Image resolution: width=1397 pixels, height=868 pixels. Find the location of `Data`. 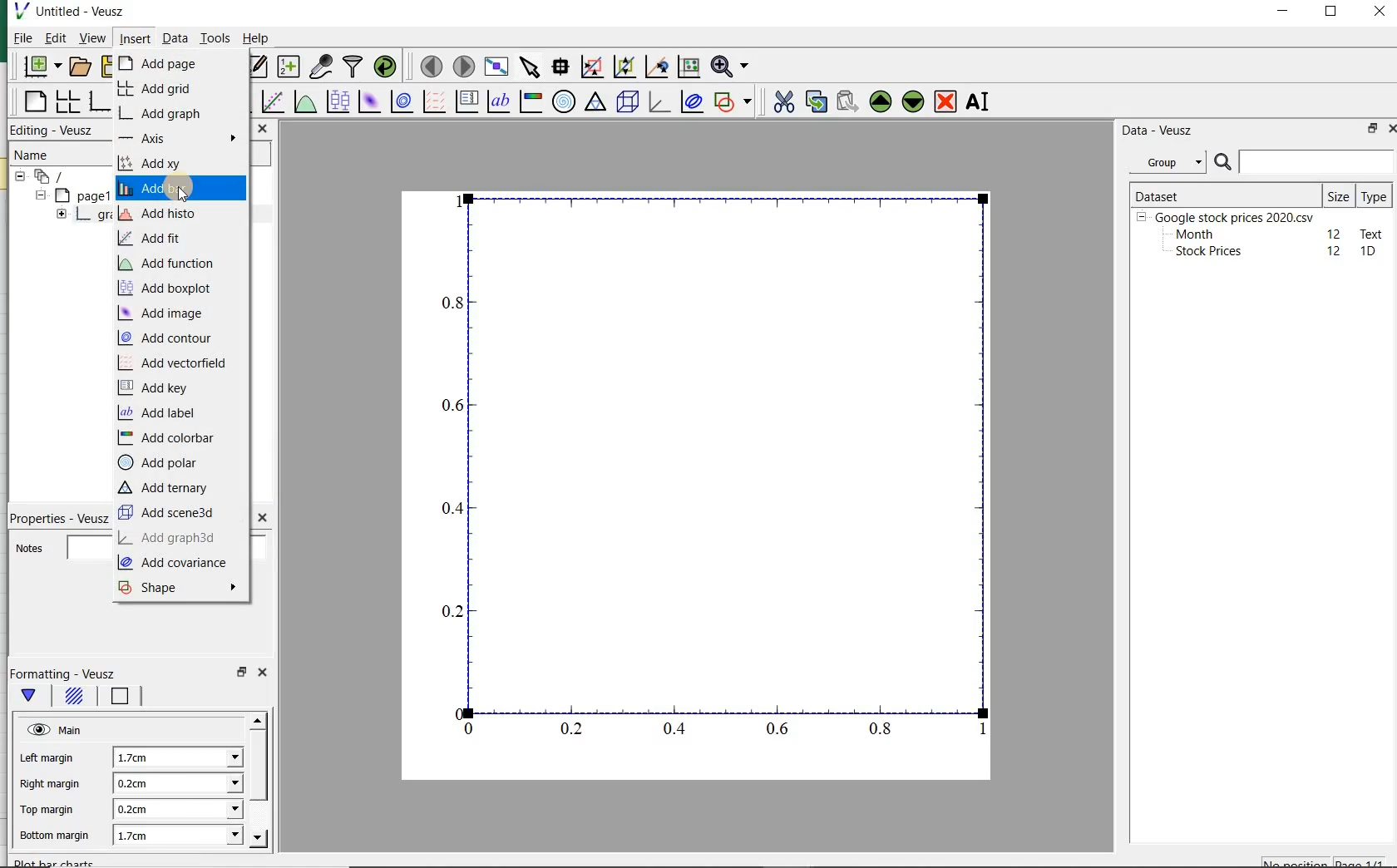

Data is located at coordinates (175, 40).